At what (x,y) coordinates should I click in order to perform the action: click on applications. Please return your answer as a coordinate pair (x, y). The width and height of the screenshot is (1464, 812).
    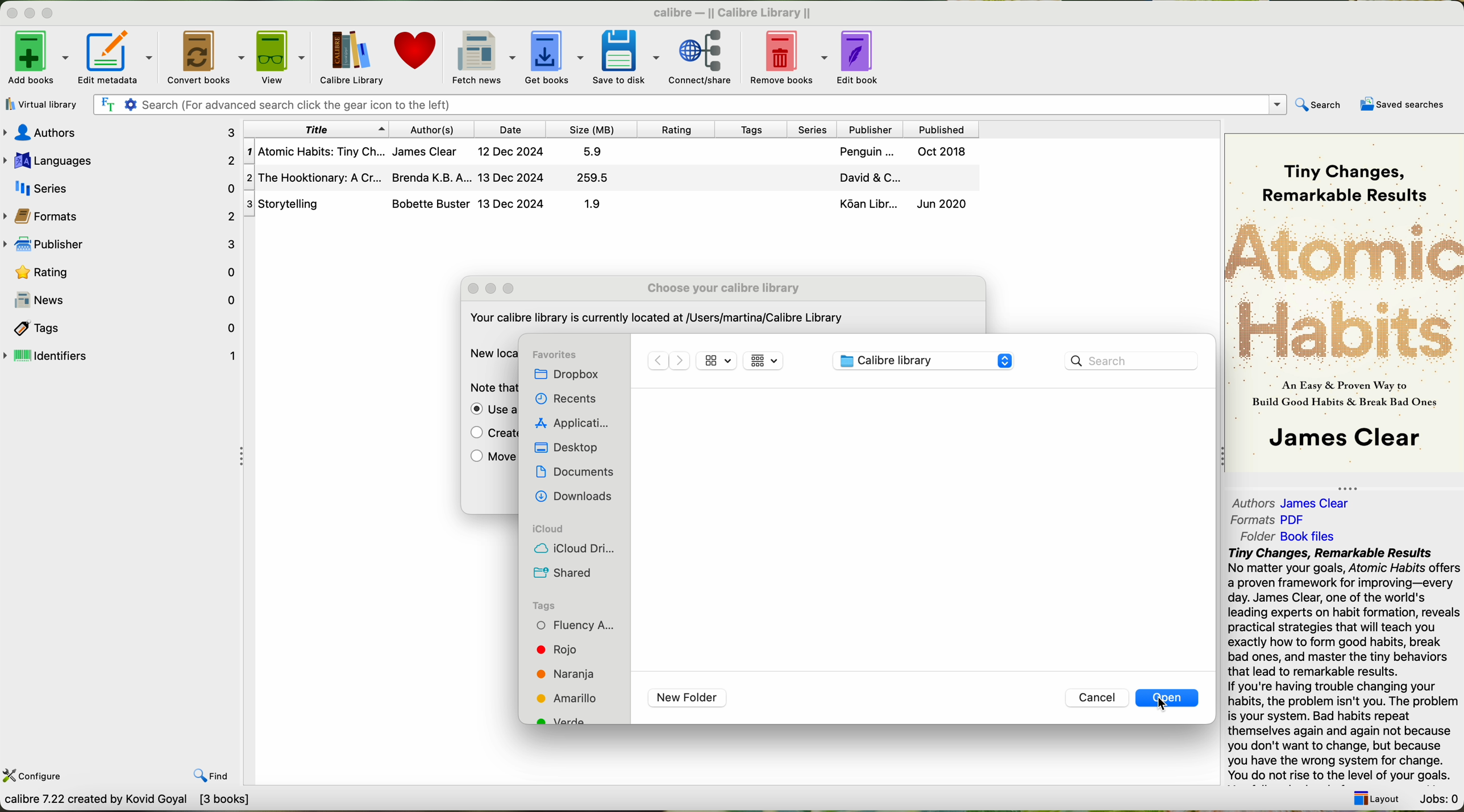
    Looking at the image, I should click on (576, 424).